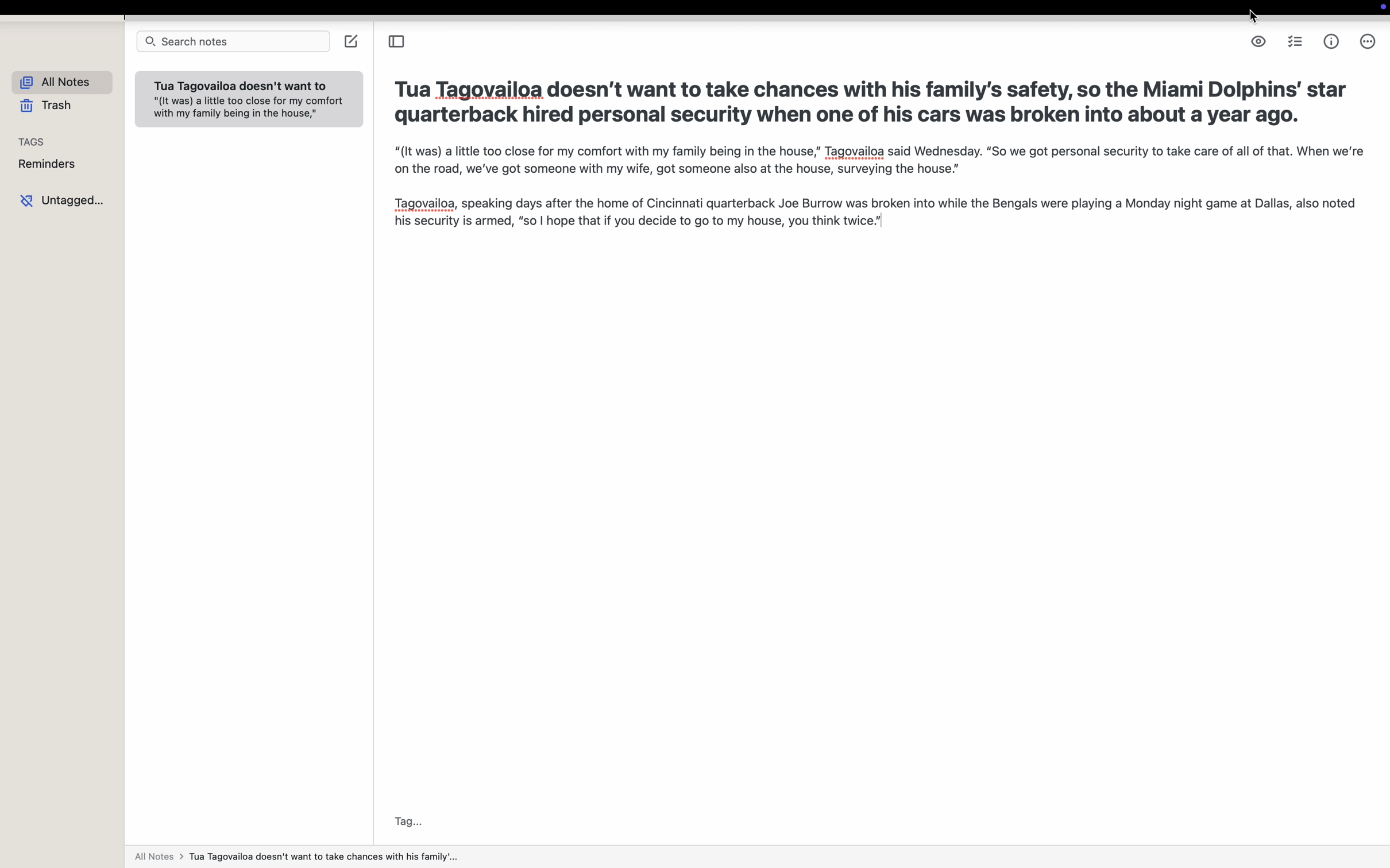 This screenshot has width=1390, height=868. I want to click on tags, so click(32, 141).